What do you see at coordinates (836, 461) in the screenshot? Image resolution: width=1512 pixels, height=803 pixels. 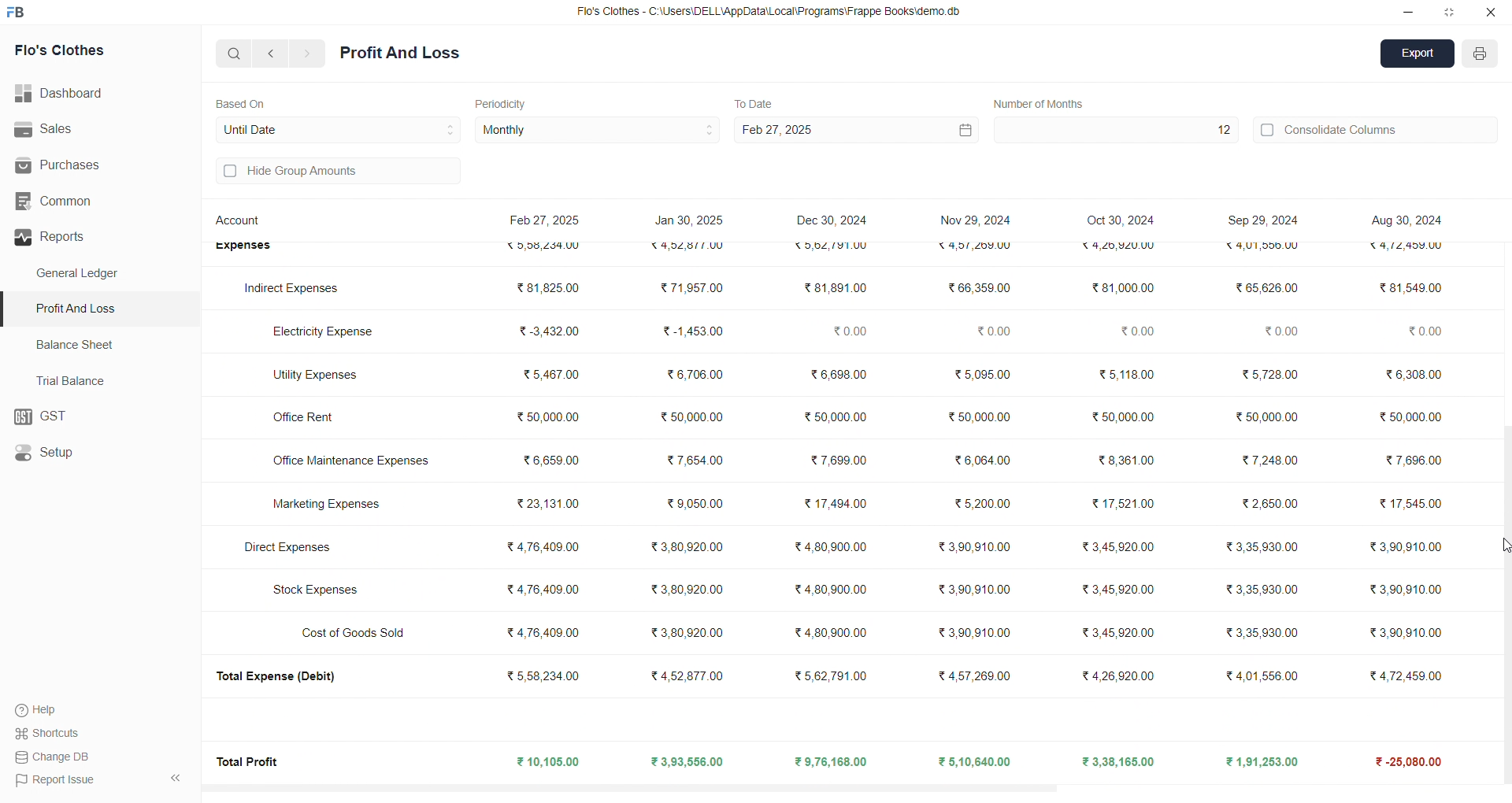 I see `₹7,699.00` at bounding box center [836, 461].